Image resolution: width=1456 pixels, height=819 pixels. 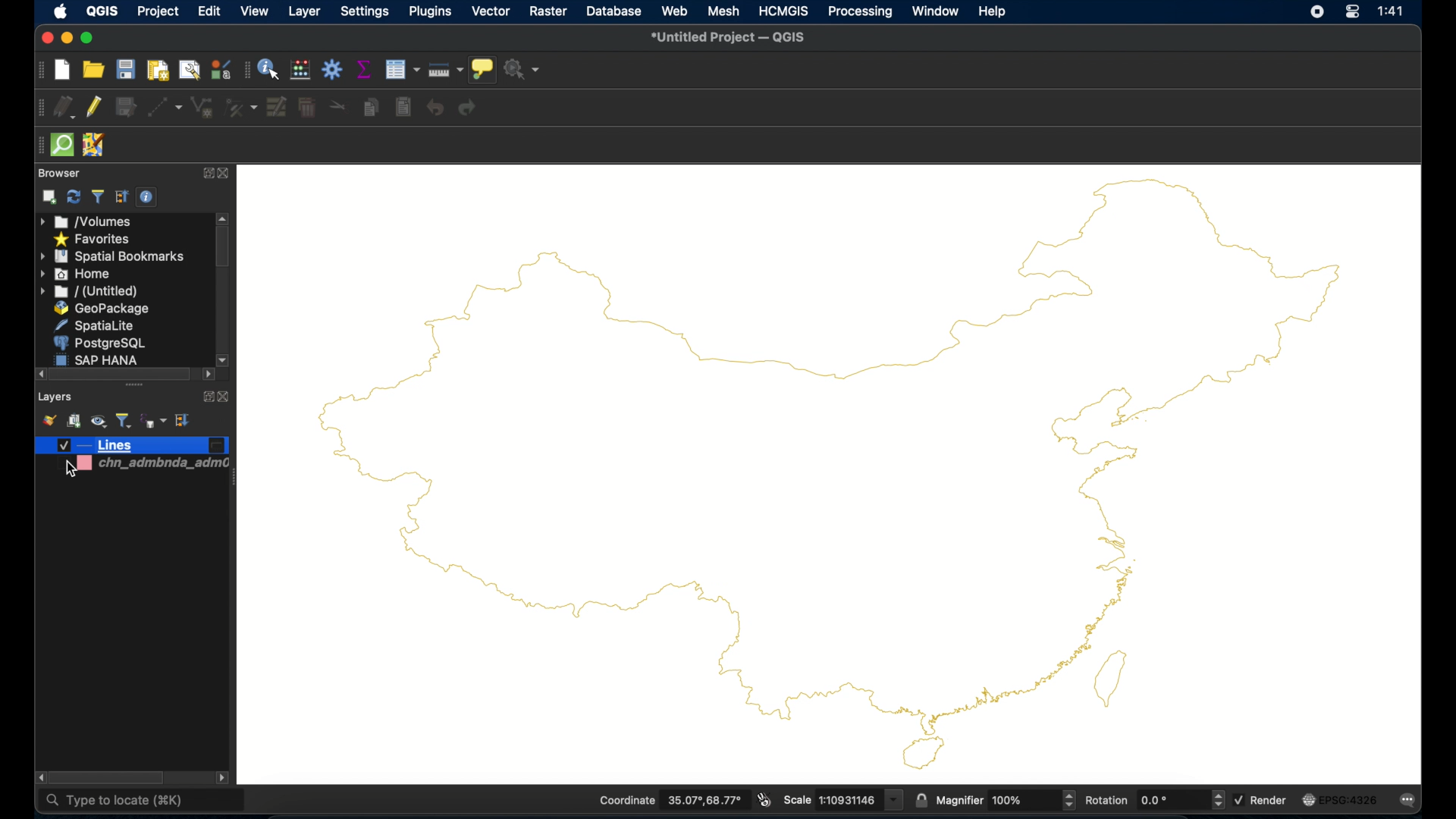 What do you see at coordinates (46, 39) in the screenshot?
I see `close` at bounding box center [46, 39].